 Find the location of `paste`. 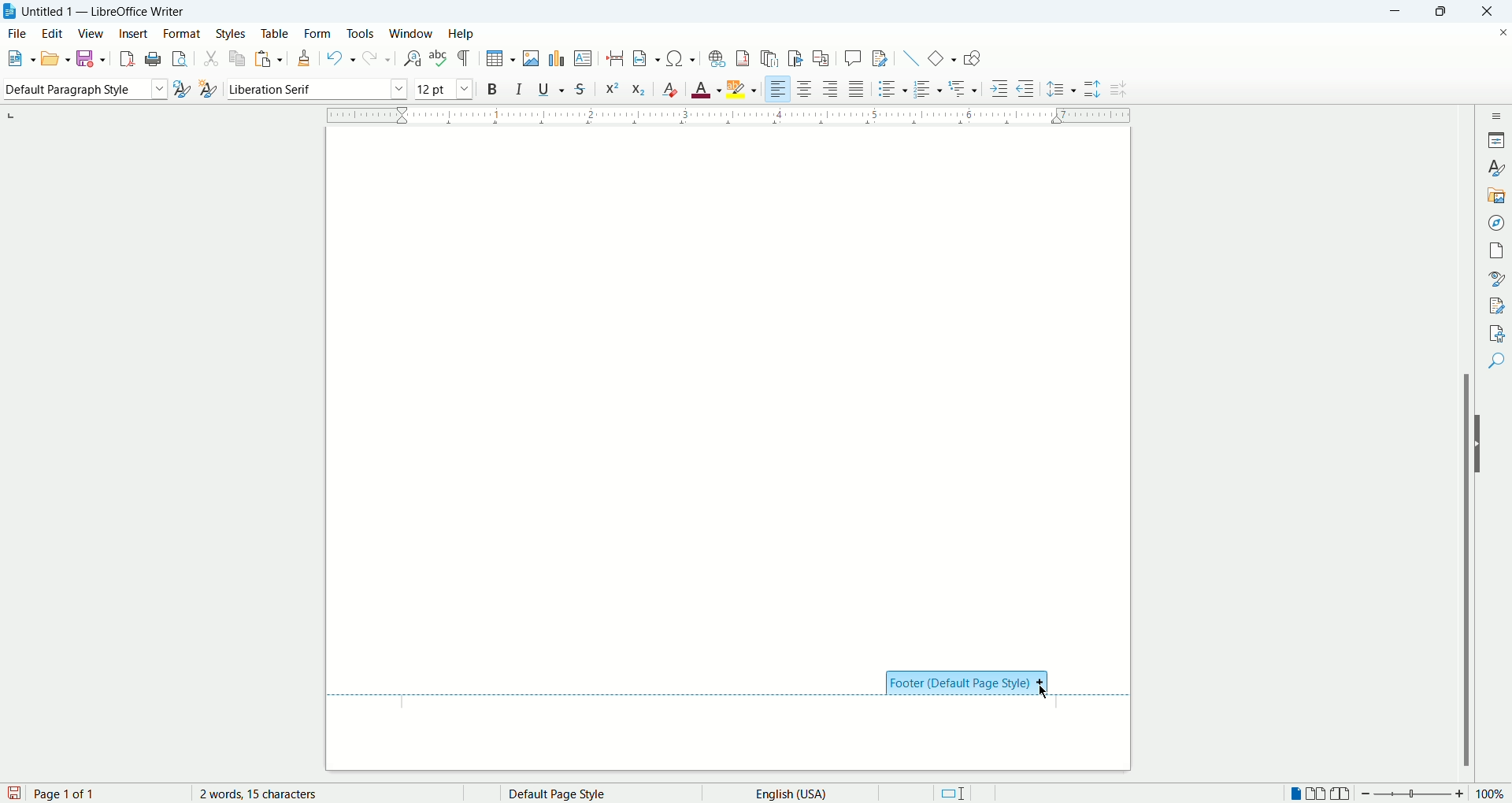

paste is located at coordinates (270, 56).